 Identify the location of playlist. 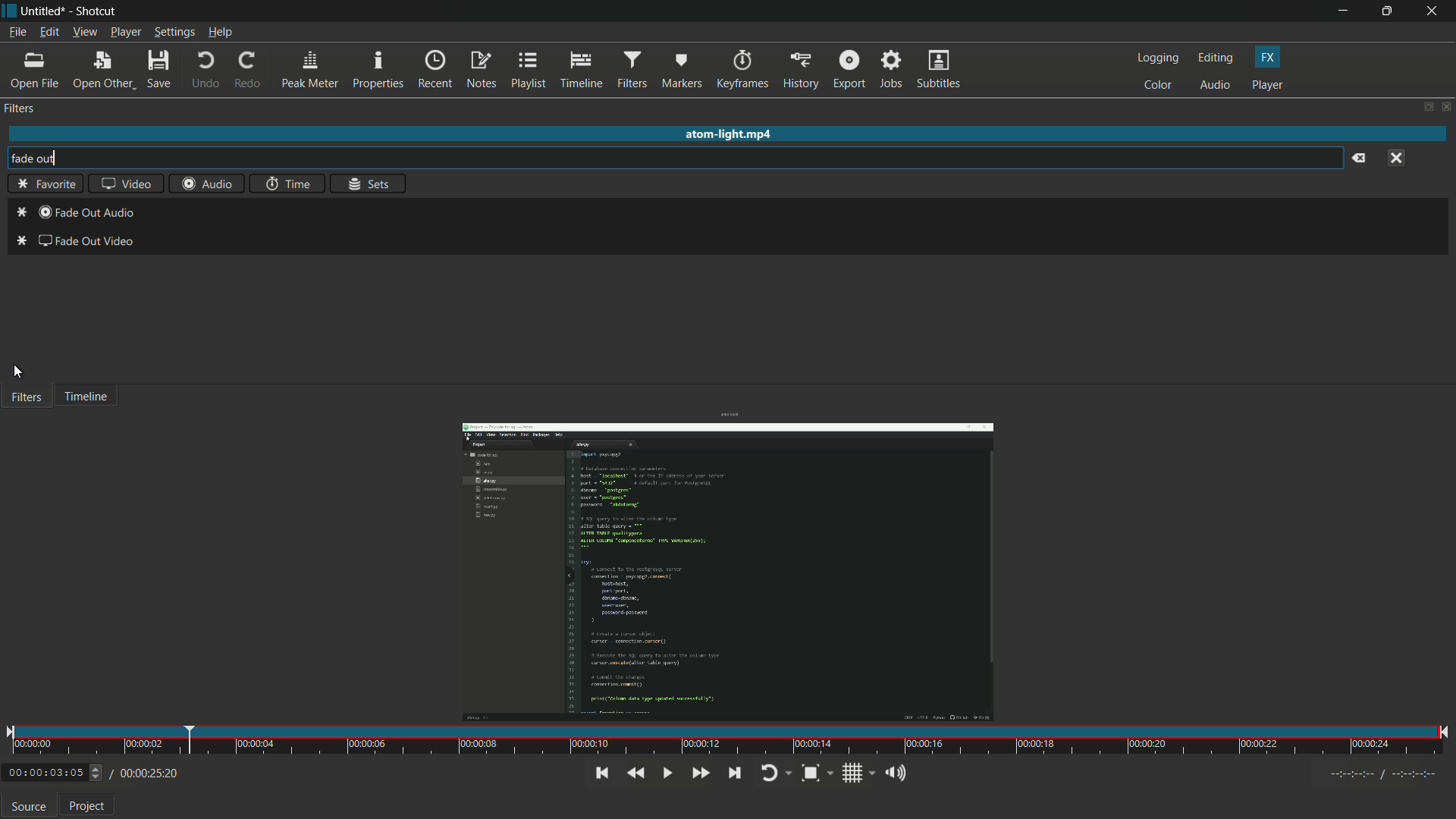
(531, 71).